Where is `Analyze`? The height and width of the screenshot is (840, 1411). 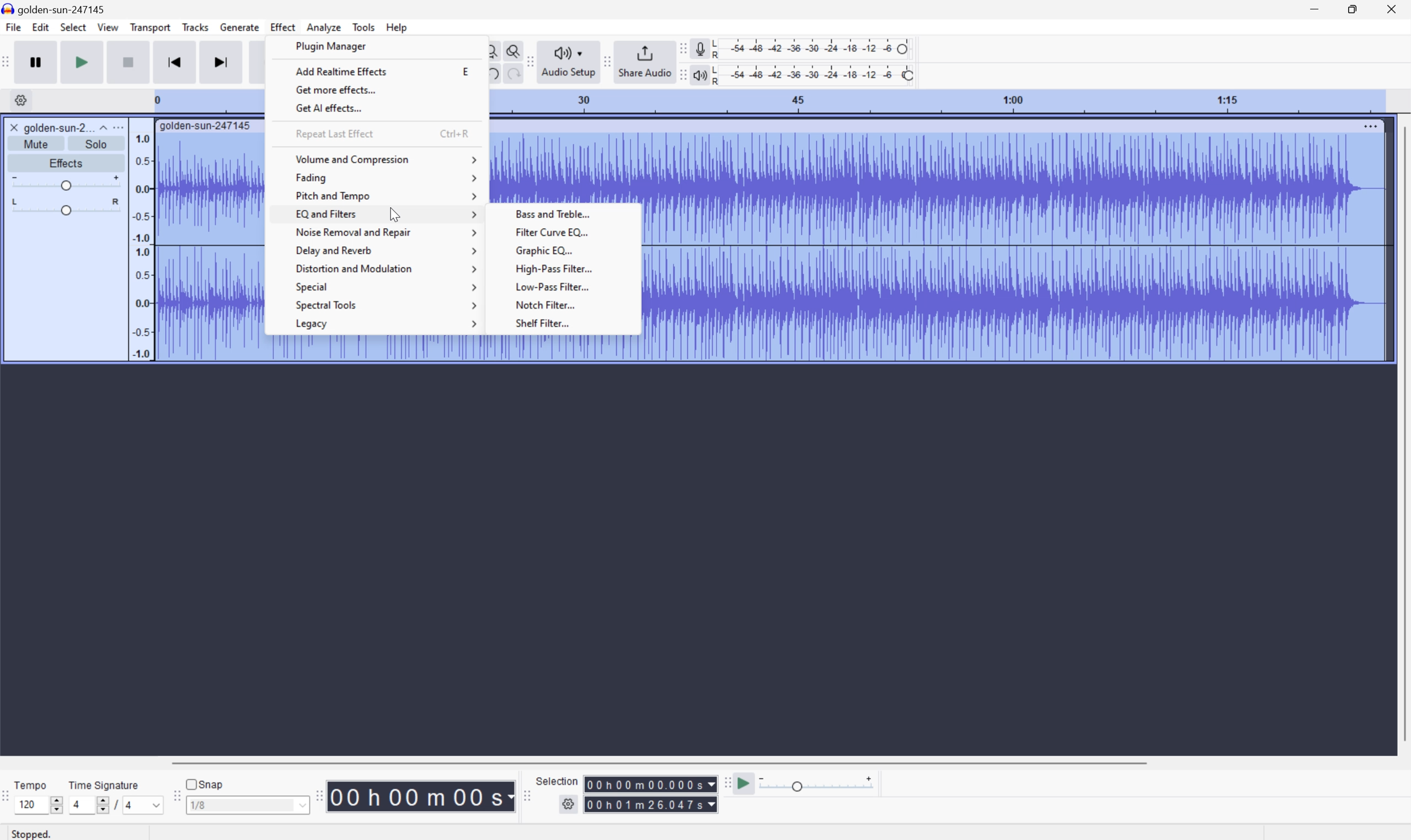 Analyze is located at coordinates (324, 27).